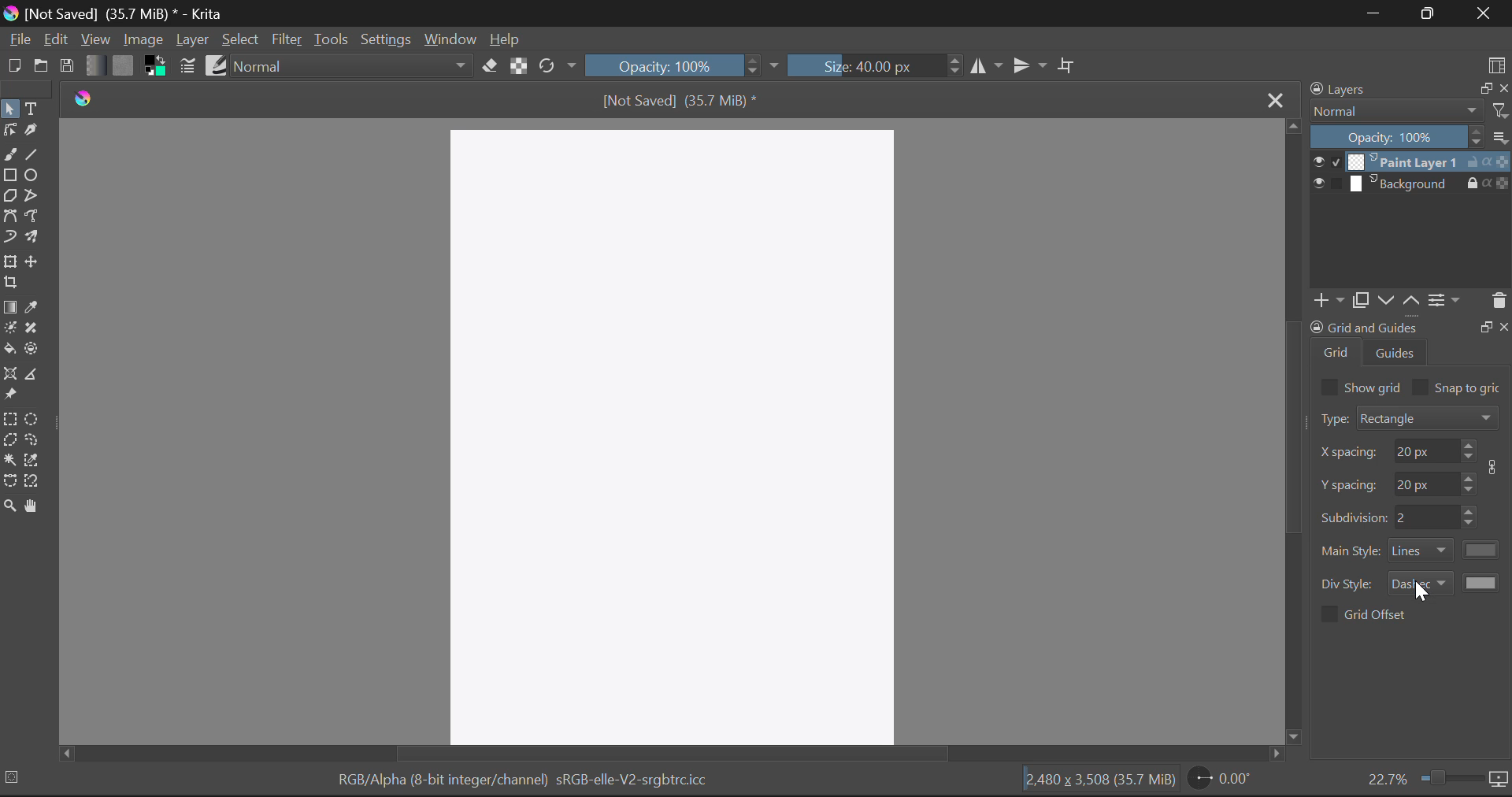 The height and width of the screenshot is (797, 1512). Describe the element at coordinates (1353, 516) in the screenshot. I see `sub division` at that location.